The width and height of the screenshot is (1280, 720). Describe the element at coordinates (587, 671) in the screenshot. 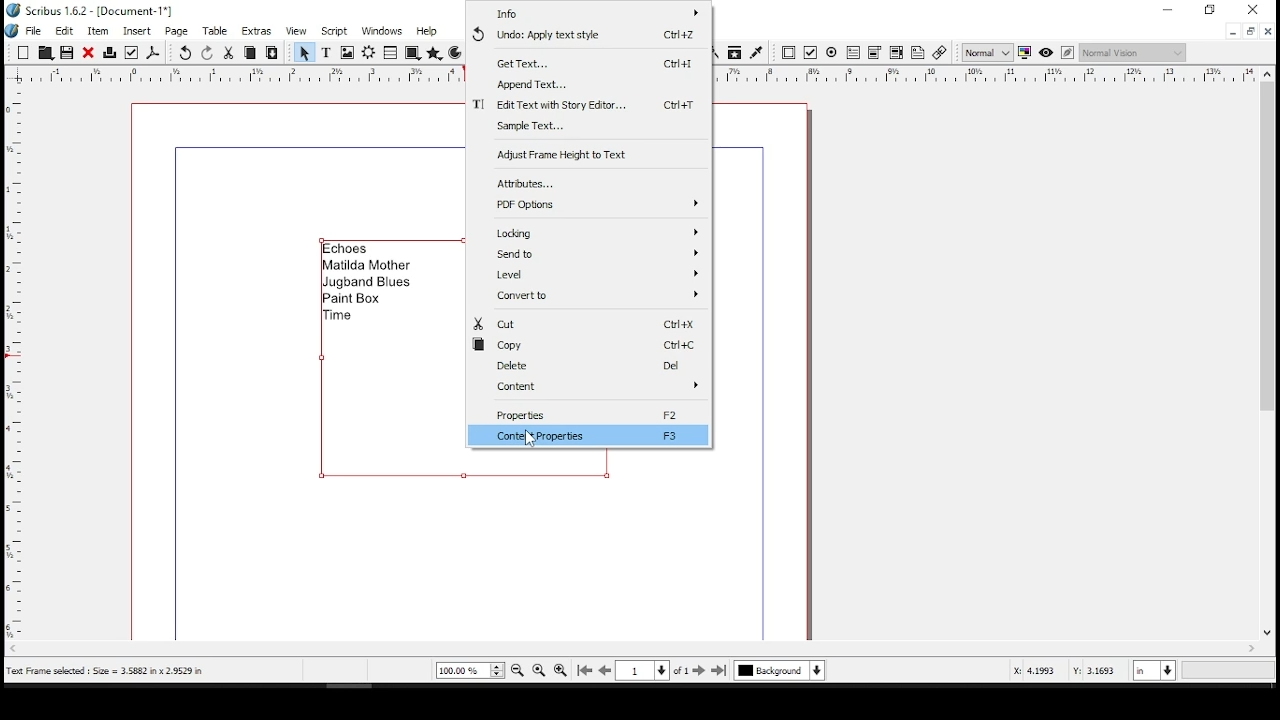

I see `first page` at that location.